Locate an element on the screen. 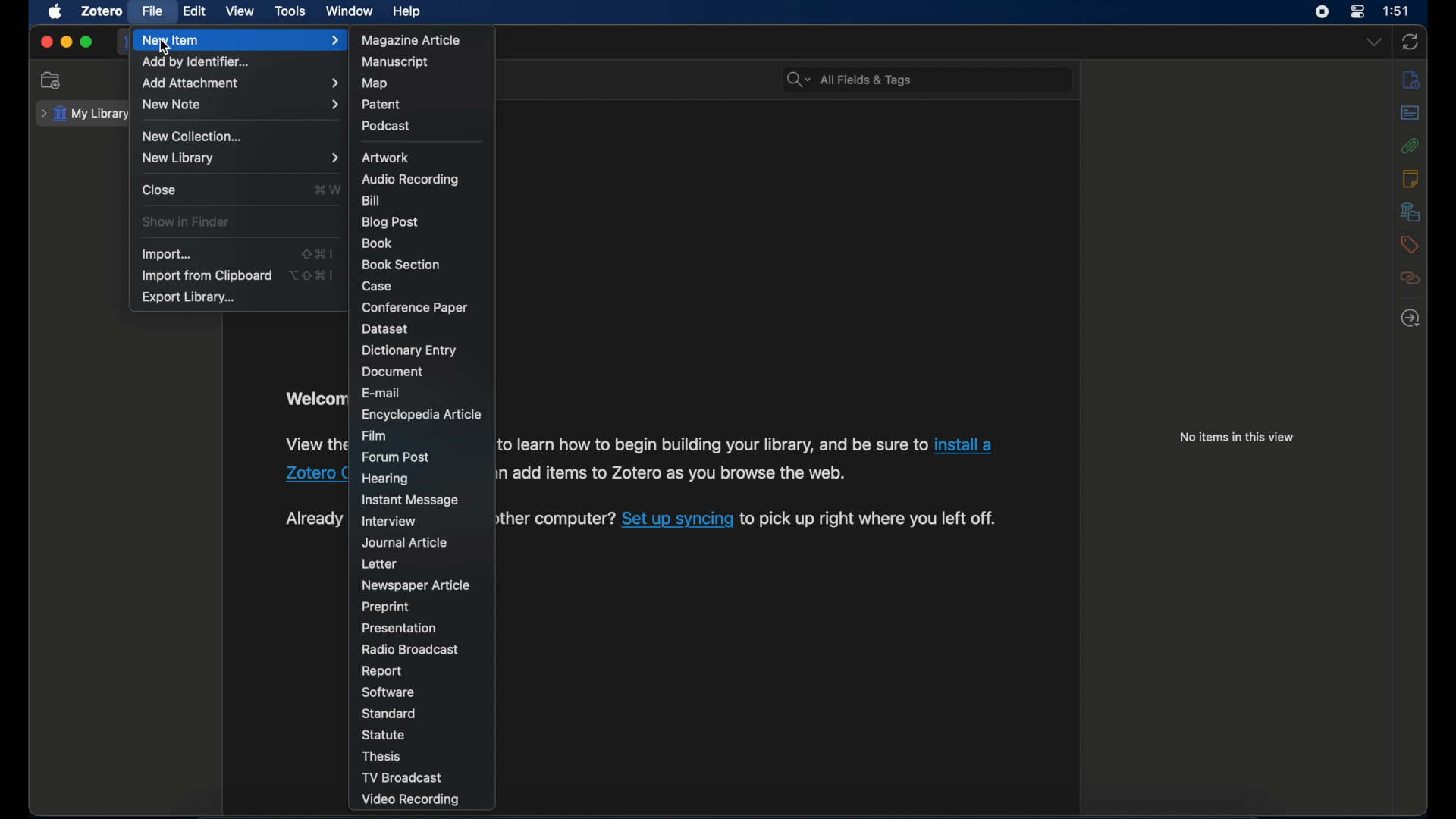  bill is located at coordinates (372, 201).